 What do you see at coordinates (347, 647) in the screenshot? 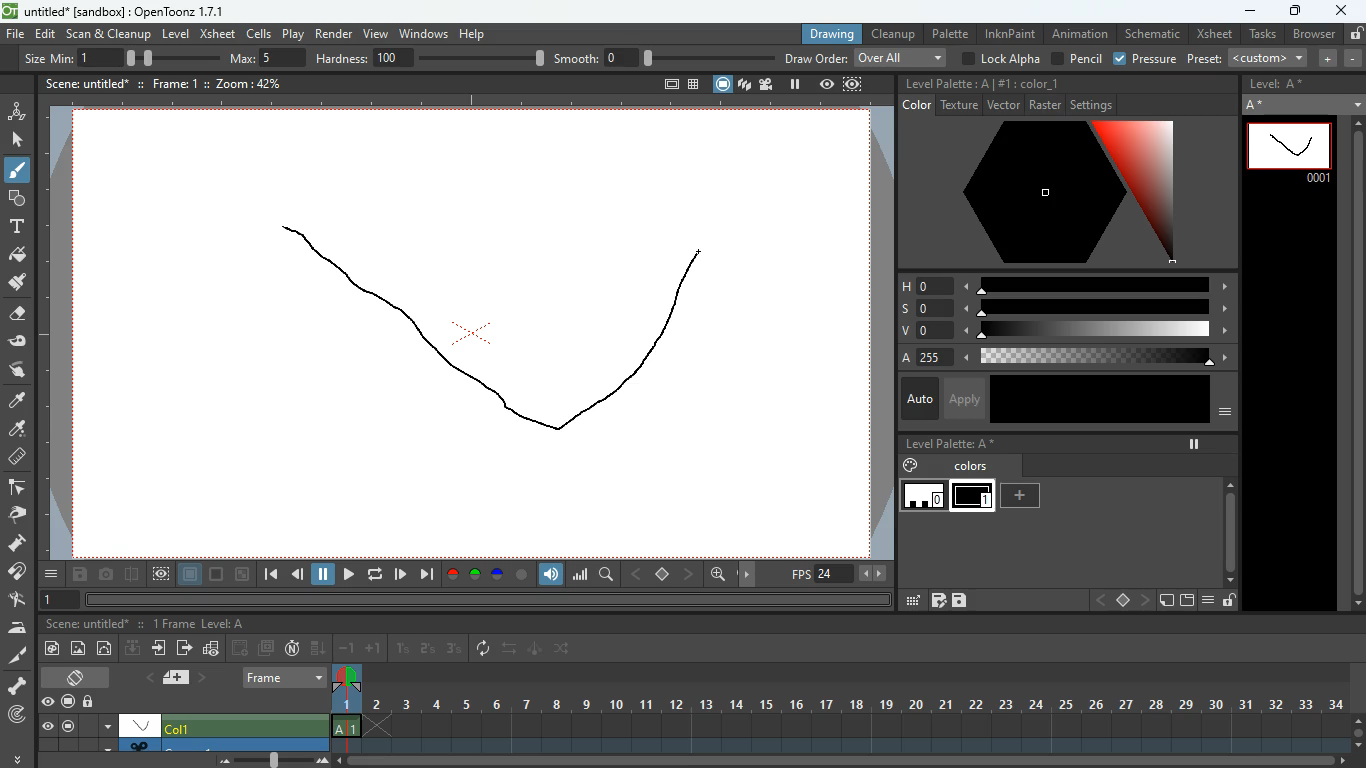
I see `-1` at bounding box center [347, 647].